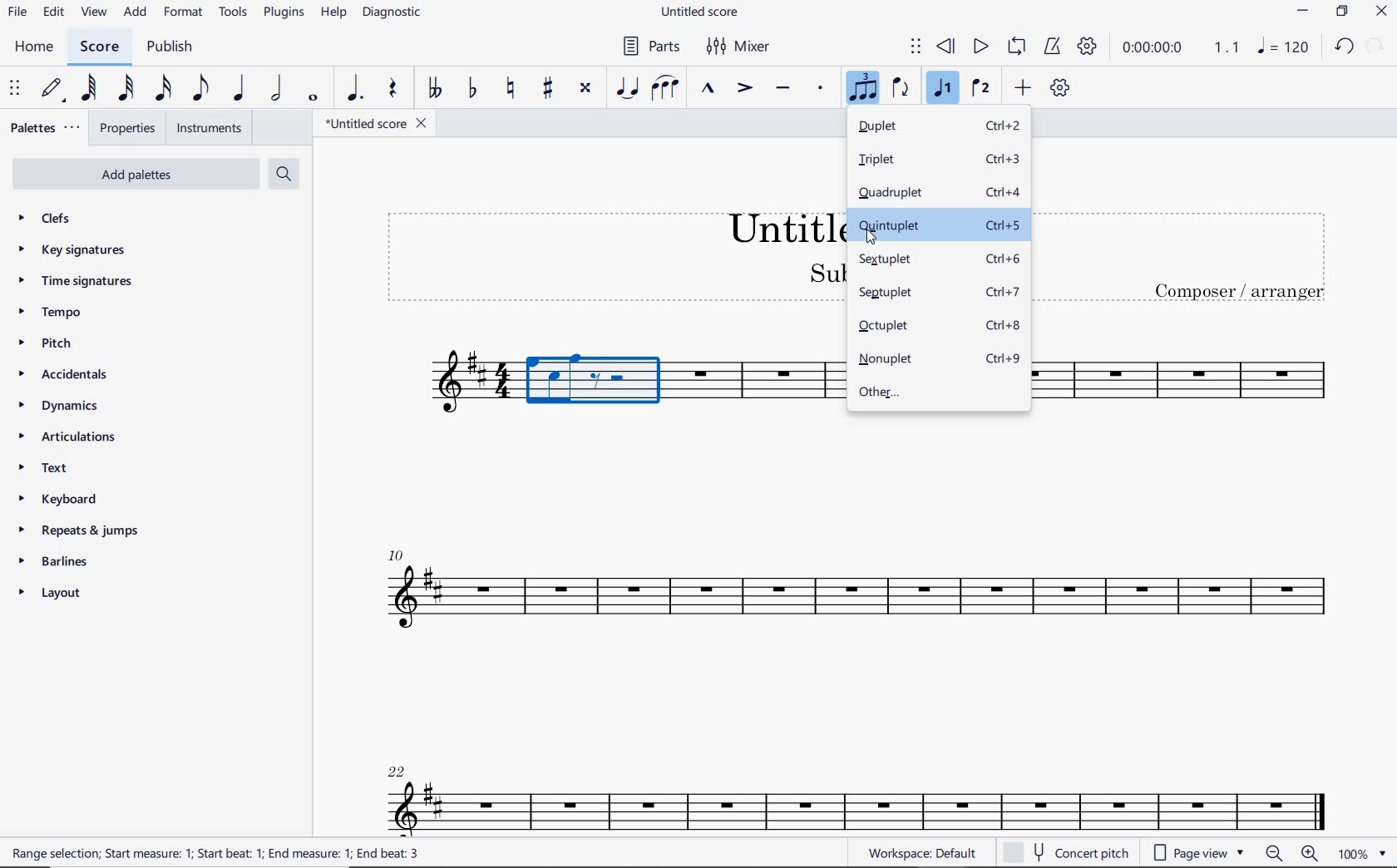  What do you see at coordinates (939, 261) in the screenshot?
I see `sextuplet` at bounding box center [939, 261].